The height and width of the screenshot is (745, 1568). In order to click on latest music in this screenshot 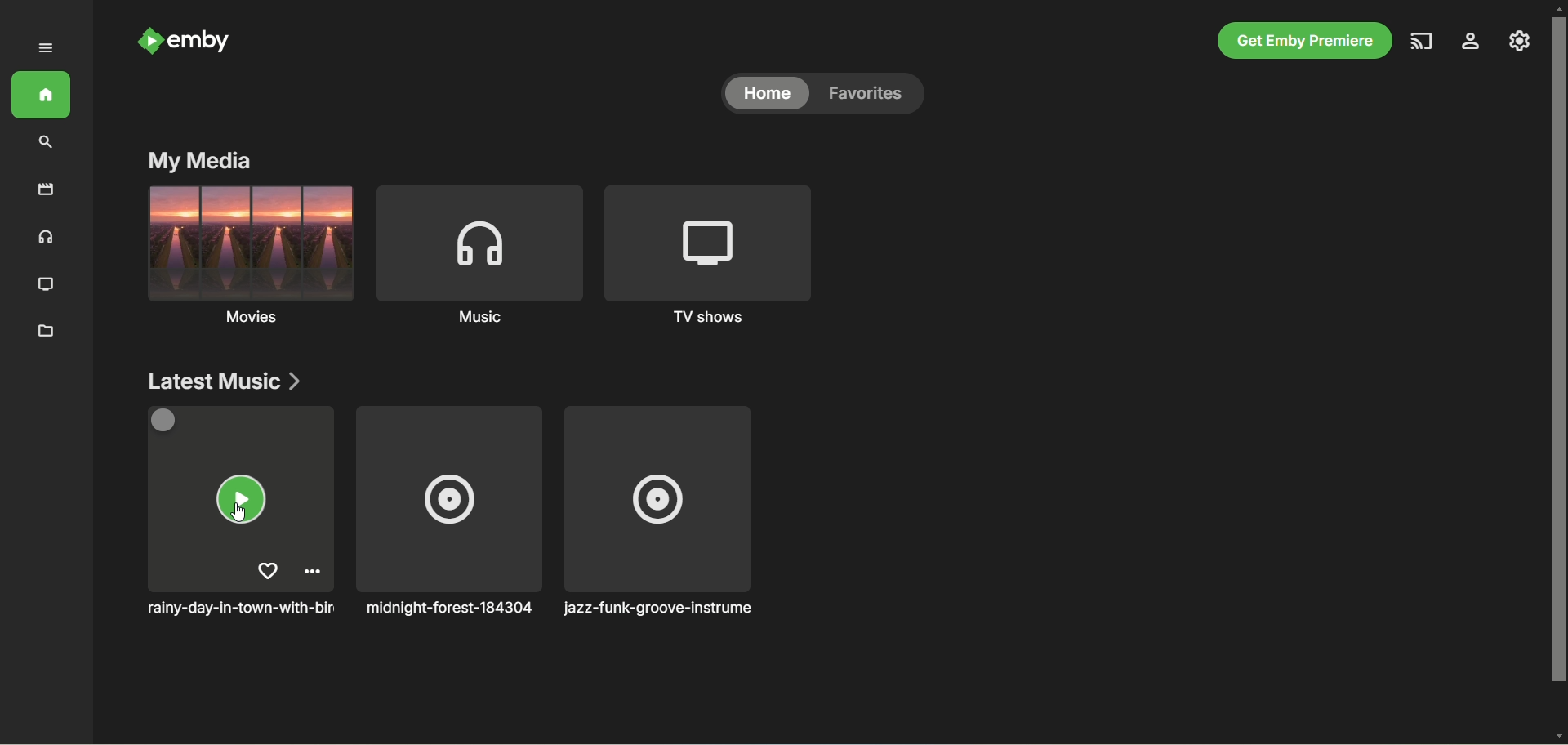, I will do `click(223, 381)`.